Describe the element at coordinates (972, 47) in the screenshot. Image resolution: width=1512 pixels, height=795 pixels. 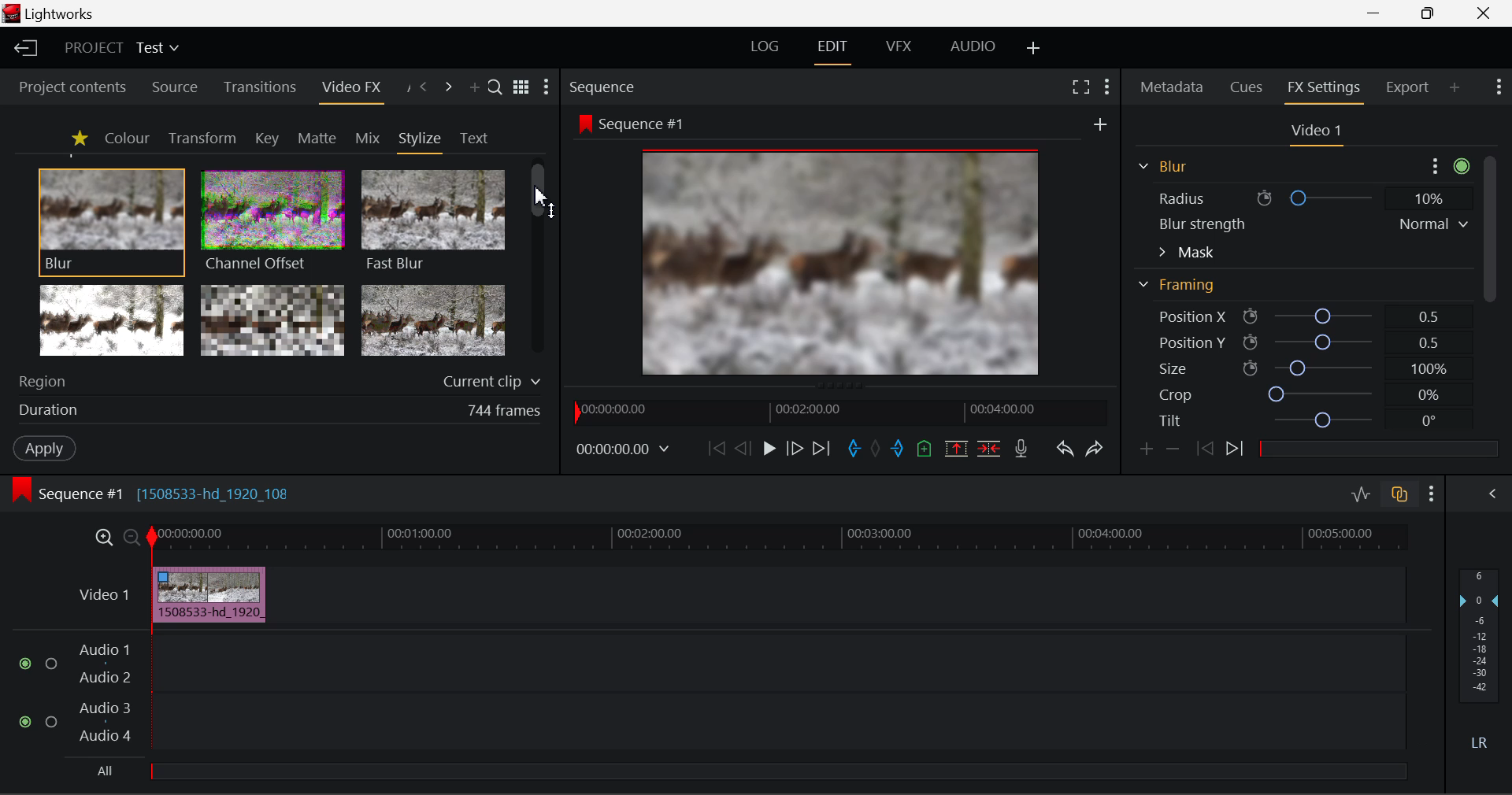
I see `AUDIO Layout` at that location.